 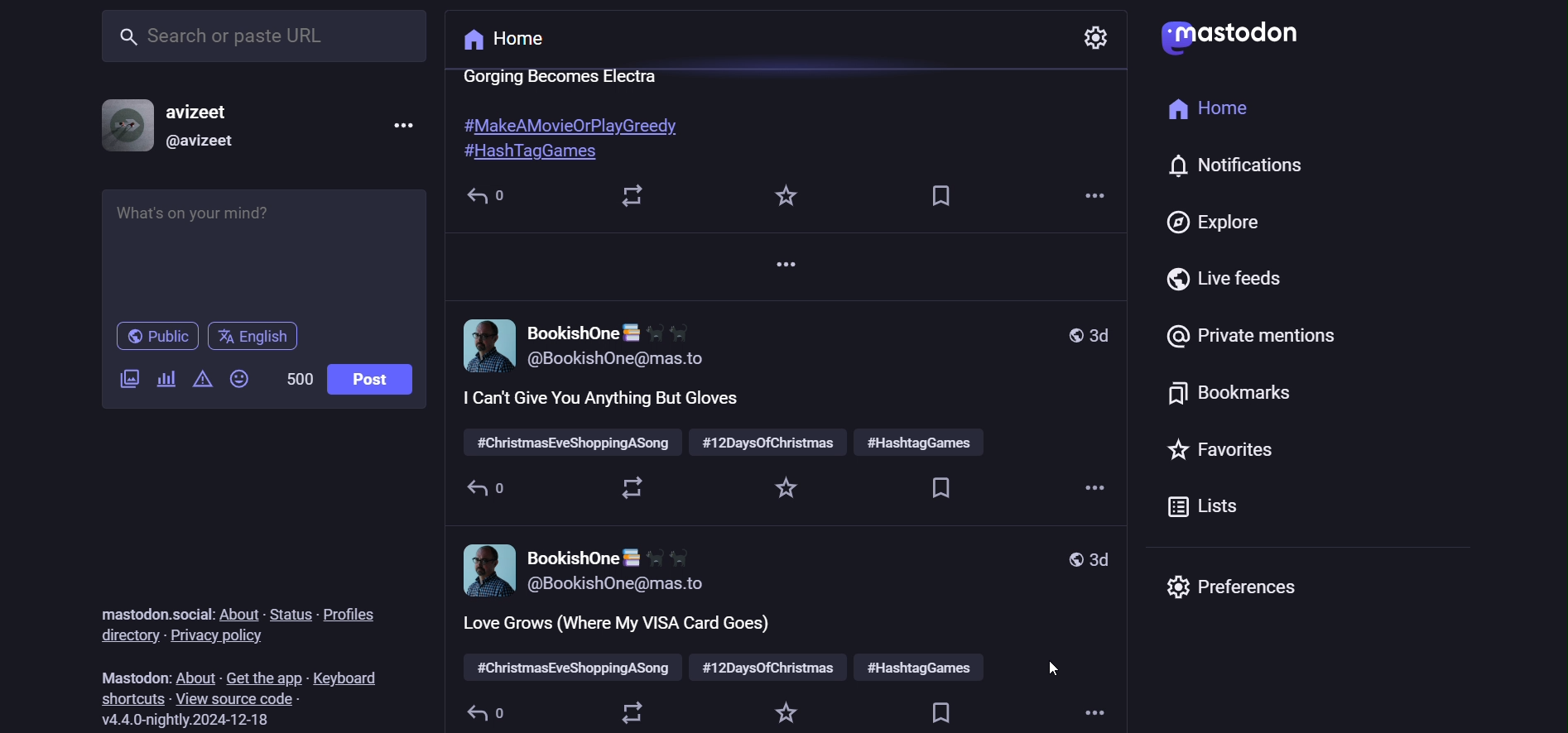 I want to click on search bar, so click(x=262, y=38).